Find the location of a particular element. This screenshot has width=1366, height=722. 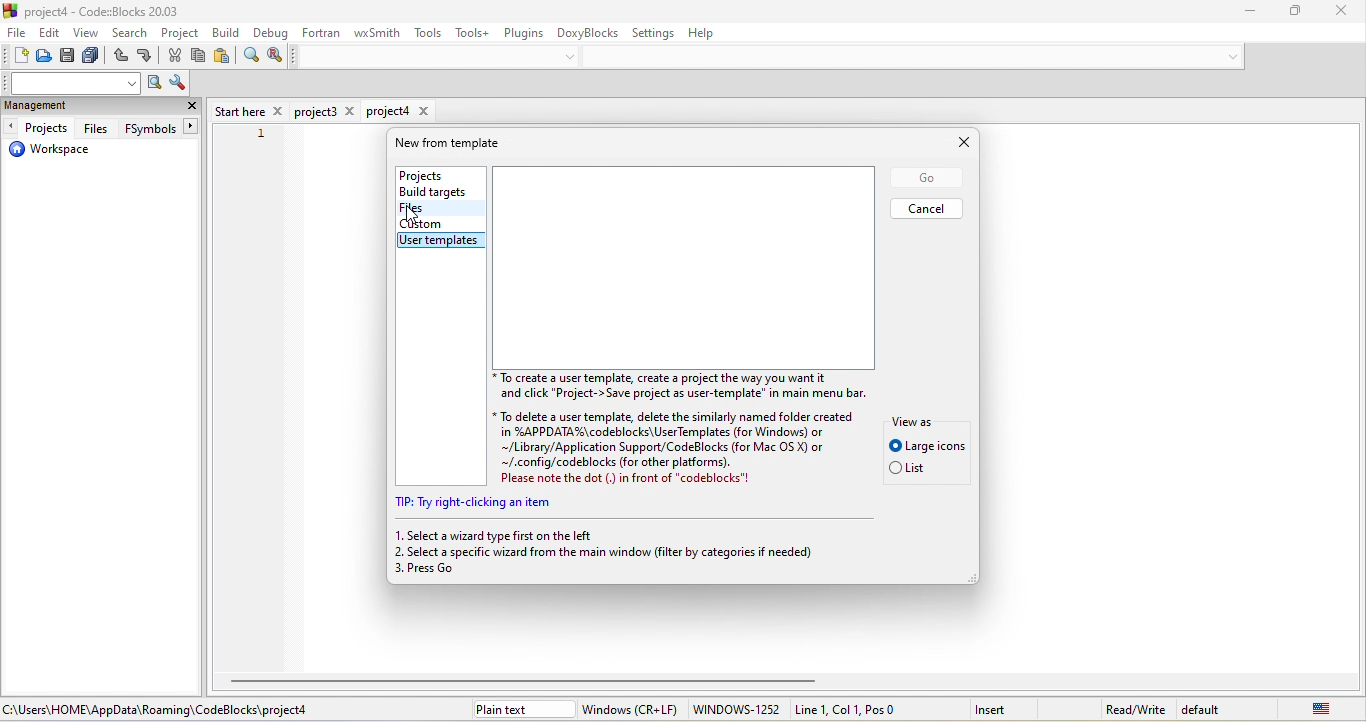

view as is located at coordinates (919, 419).